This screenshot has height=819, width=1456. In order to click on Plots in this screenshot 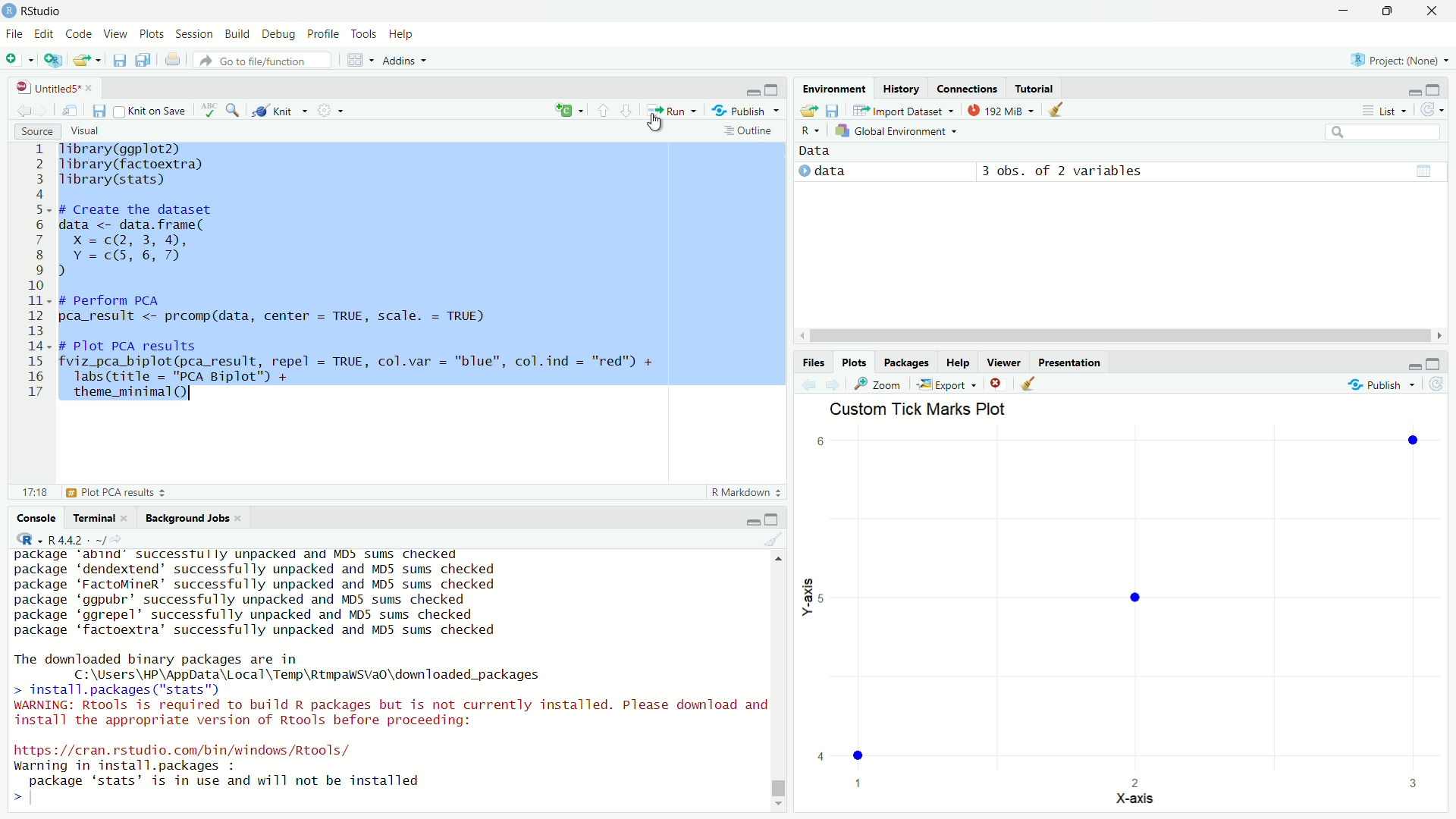, I will do `click(855, 362)`.